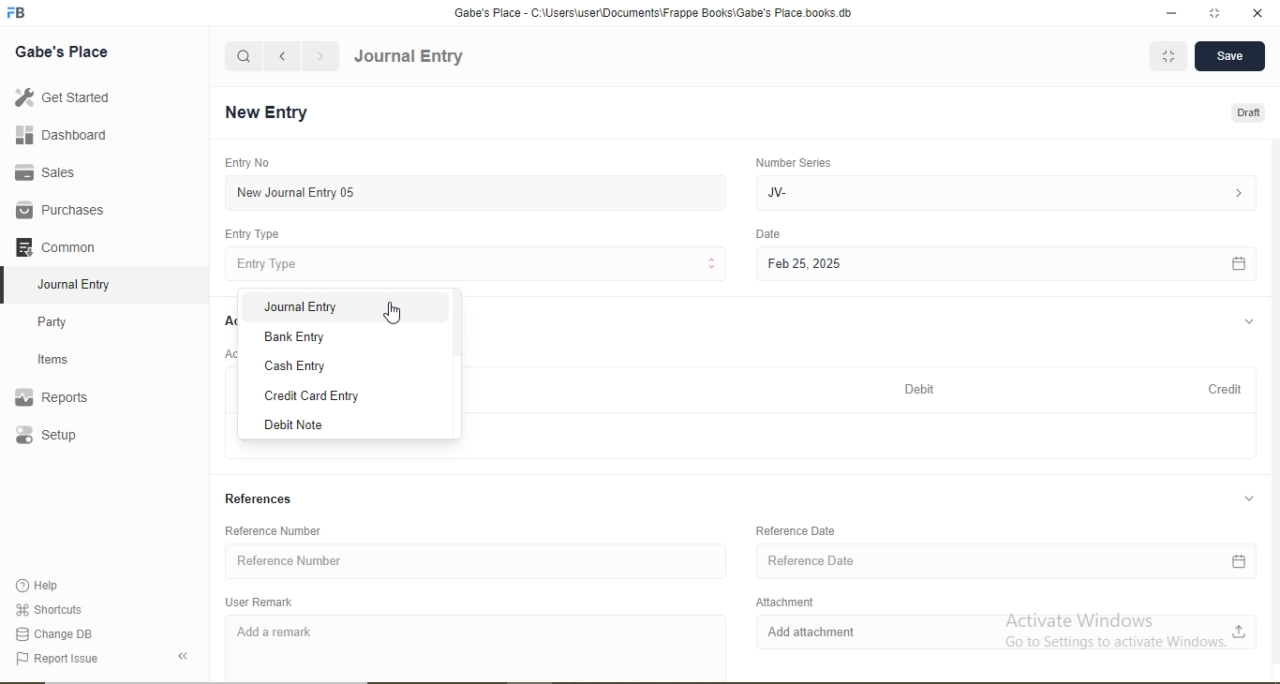 This screenshot has height=684, width=1280. I want to click on Gabe's Place - C:\Users\useriDocuments\Frappe Books\Gabe's Place books.db, so click(655, 12).